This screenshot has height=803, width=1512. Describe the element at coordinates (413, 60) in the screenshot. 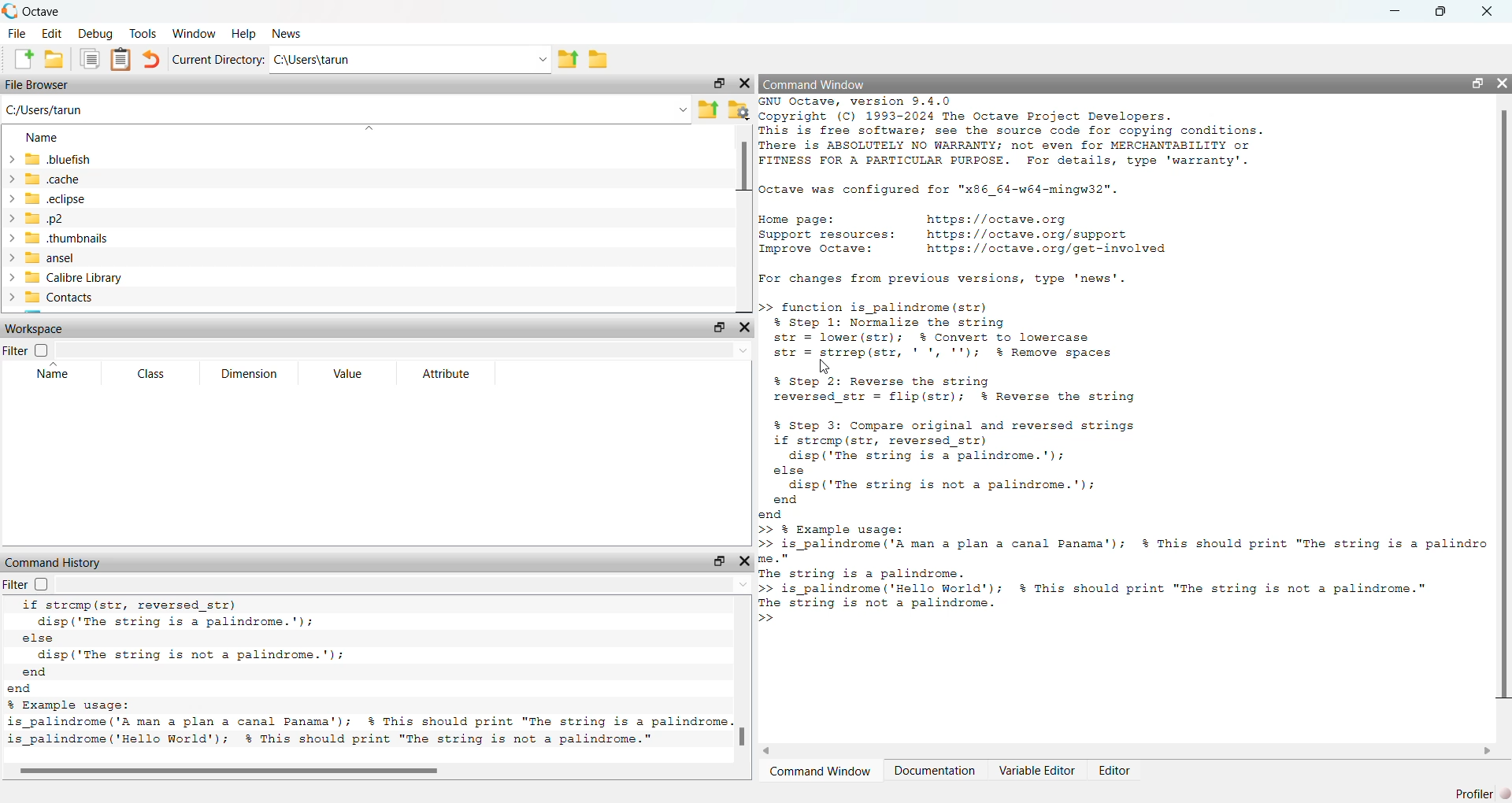

I see `enter directory name` at that location.